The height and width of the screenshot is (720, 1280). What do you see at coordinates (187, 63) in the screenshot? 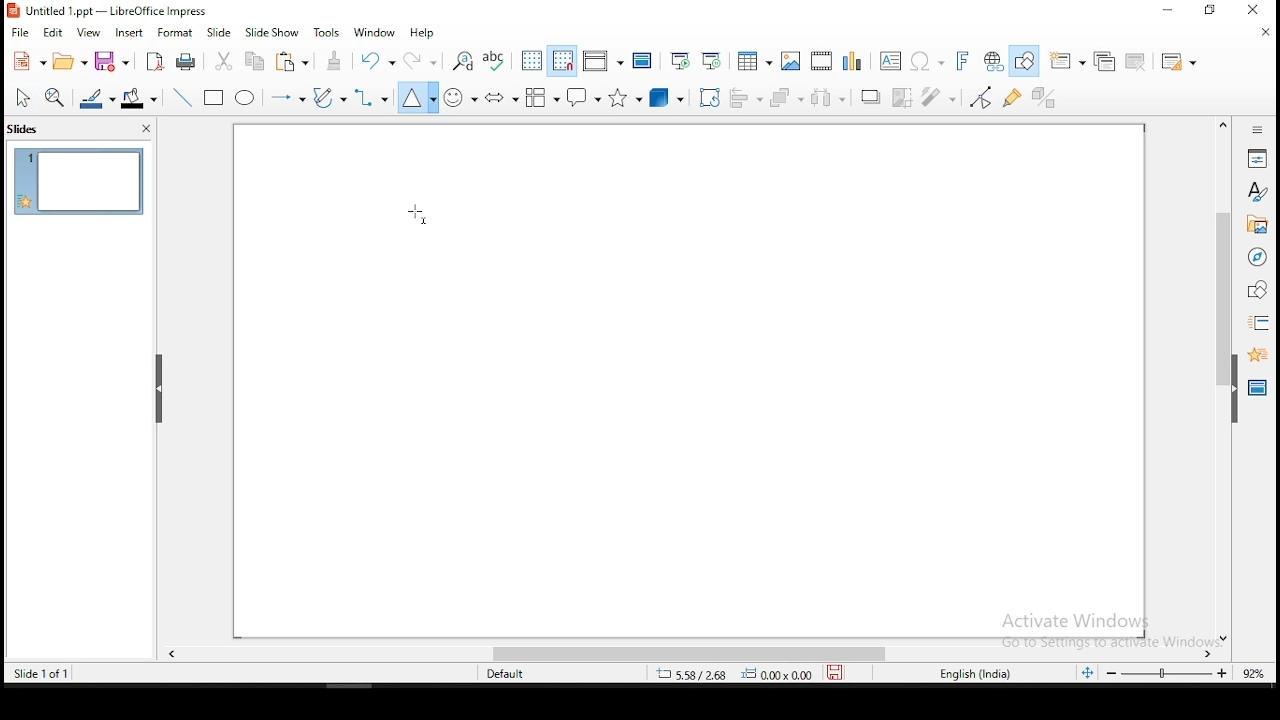
I see `print` at bounding box center [187, 63].